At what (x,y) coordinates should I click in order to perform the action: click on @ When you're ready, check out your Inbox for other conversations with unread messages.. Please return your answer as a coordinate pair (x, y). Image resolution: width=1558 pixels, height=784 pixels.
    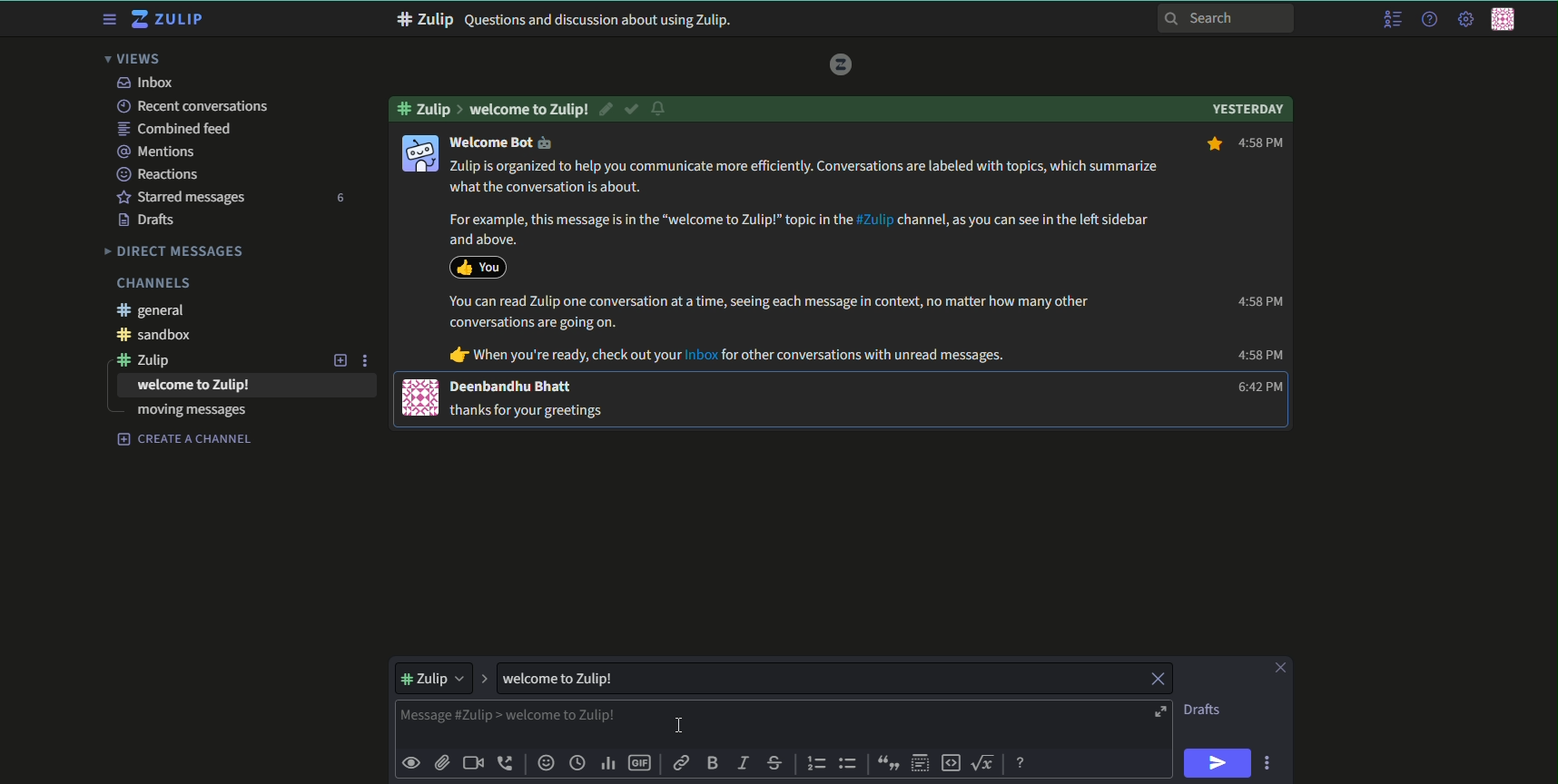
    Looking at the image, I should click on (728, 356).